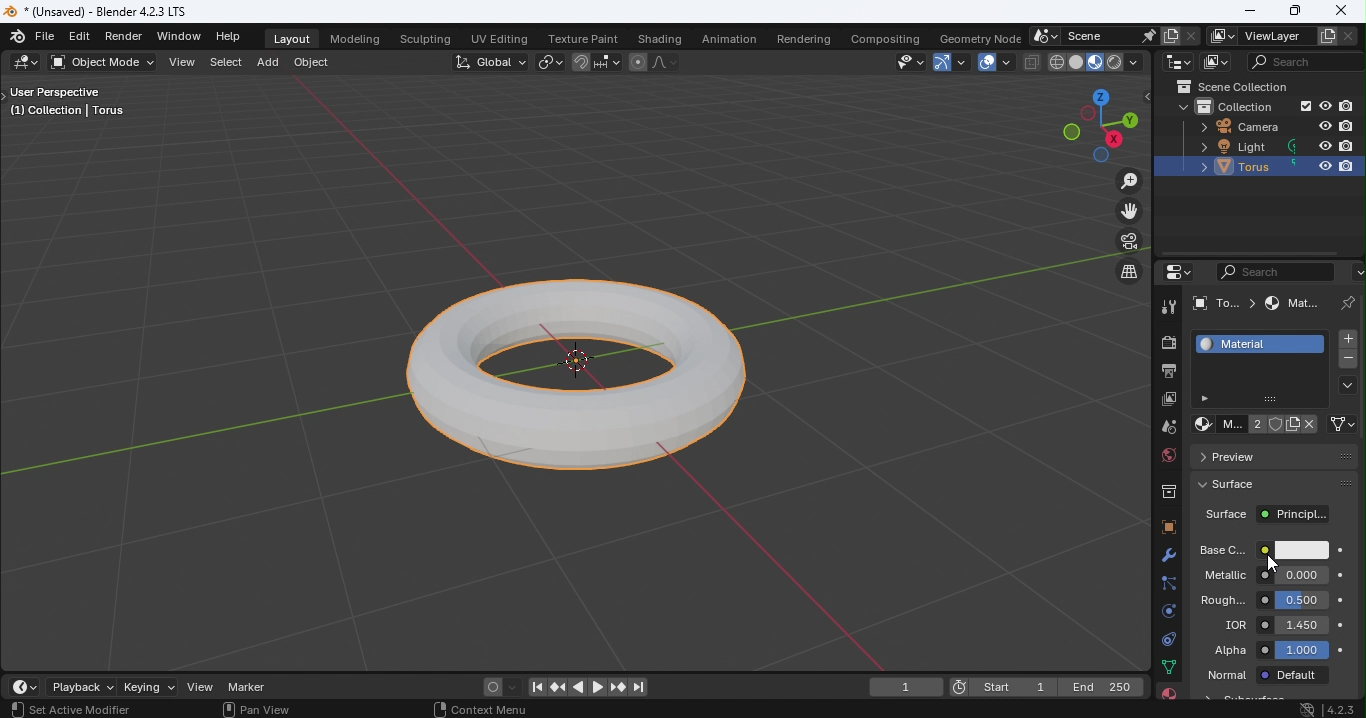 The width and height of the screenshot is (1366, 718). What do you see at coordinates (1167, 397) in the screenshot?
I see `View layer` at bounding box center [1167, 397].